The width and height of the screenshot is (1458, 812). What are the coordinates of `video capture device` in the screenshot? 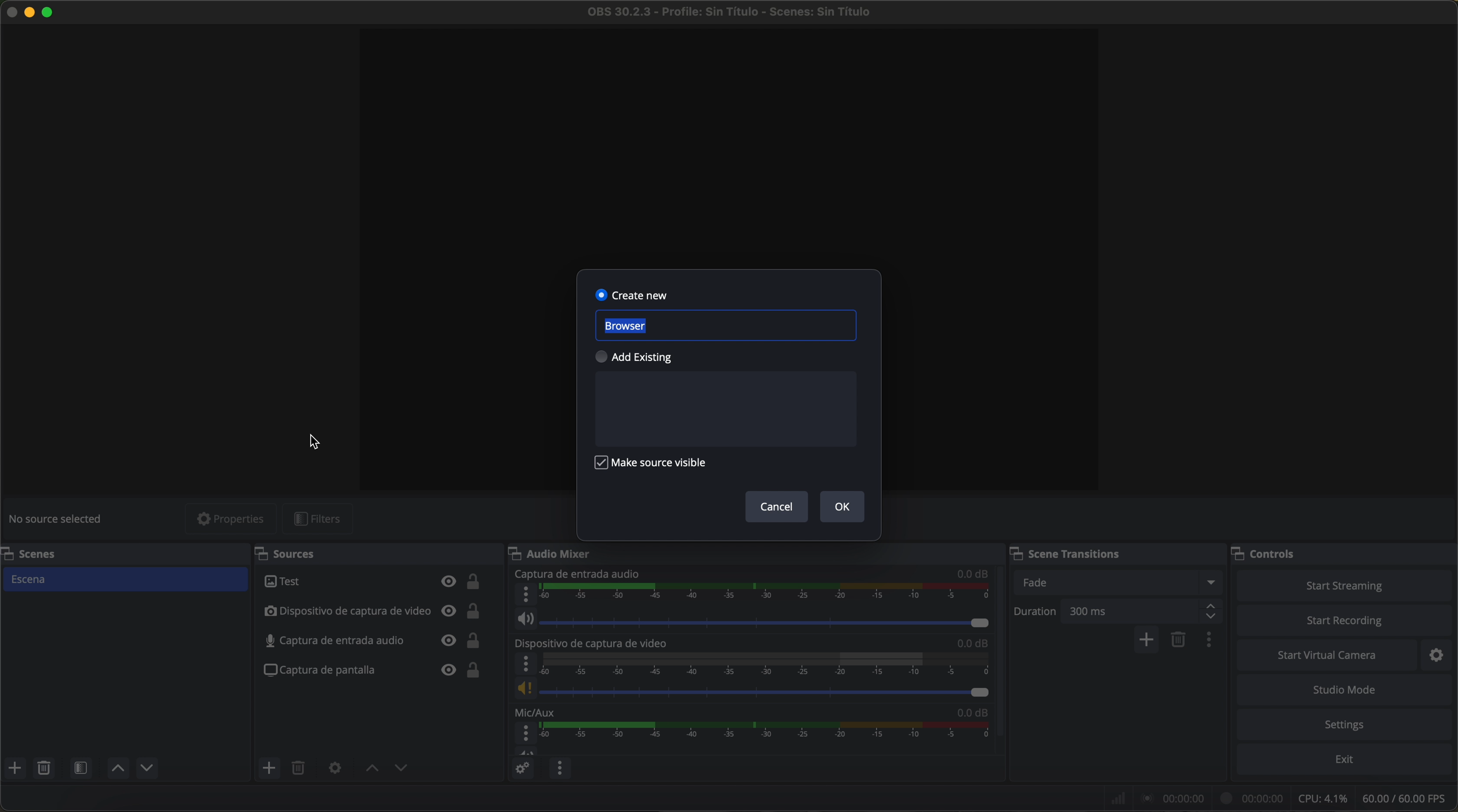 It's located at (375, 612).